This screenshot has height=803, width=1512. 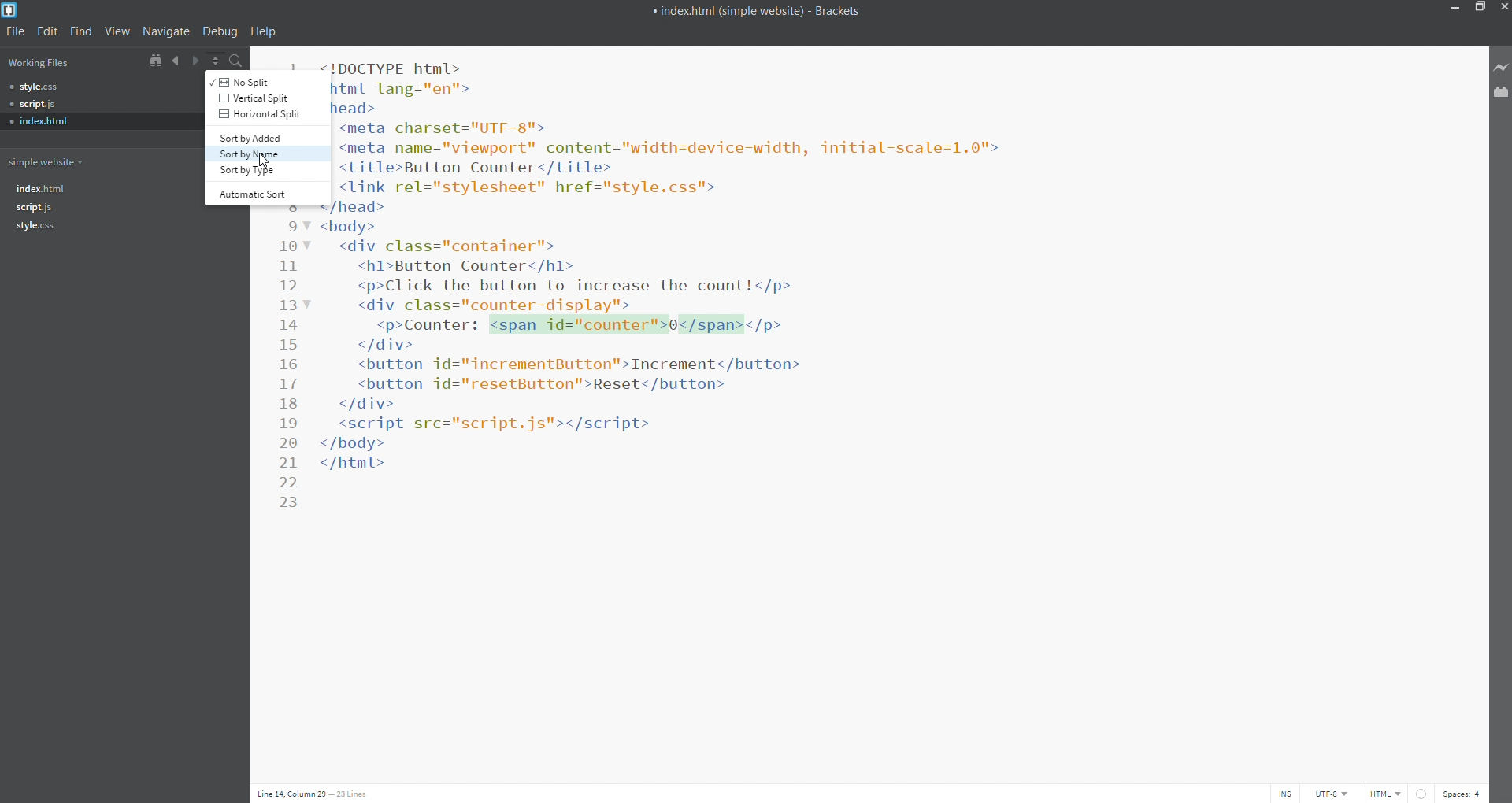 I want to click on navigate backward, so click(x=176, y=59).